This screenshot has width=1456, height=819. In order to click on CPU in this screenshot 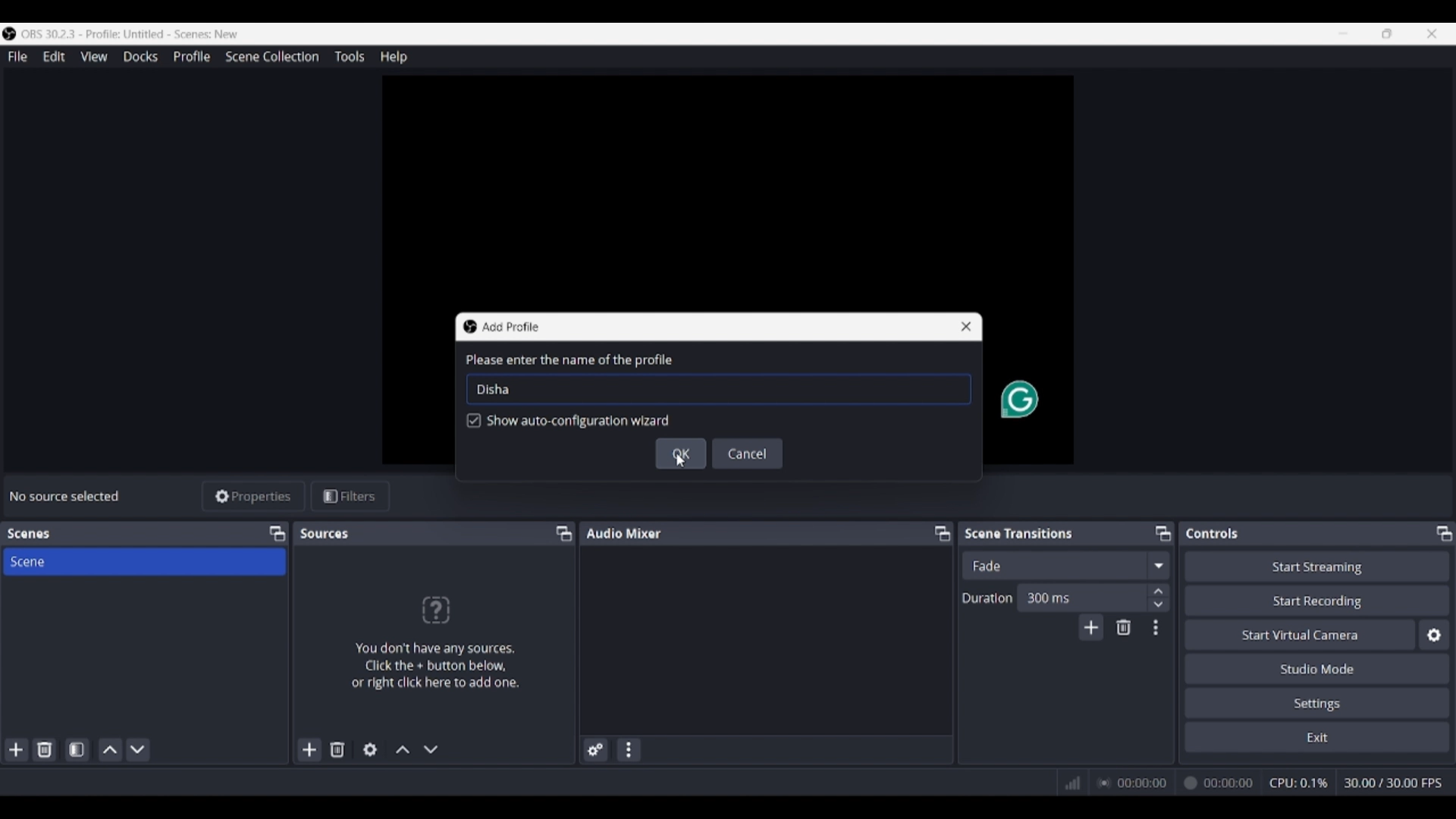, I will do `click(1299, 783)`.